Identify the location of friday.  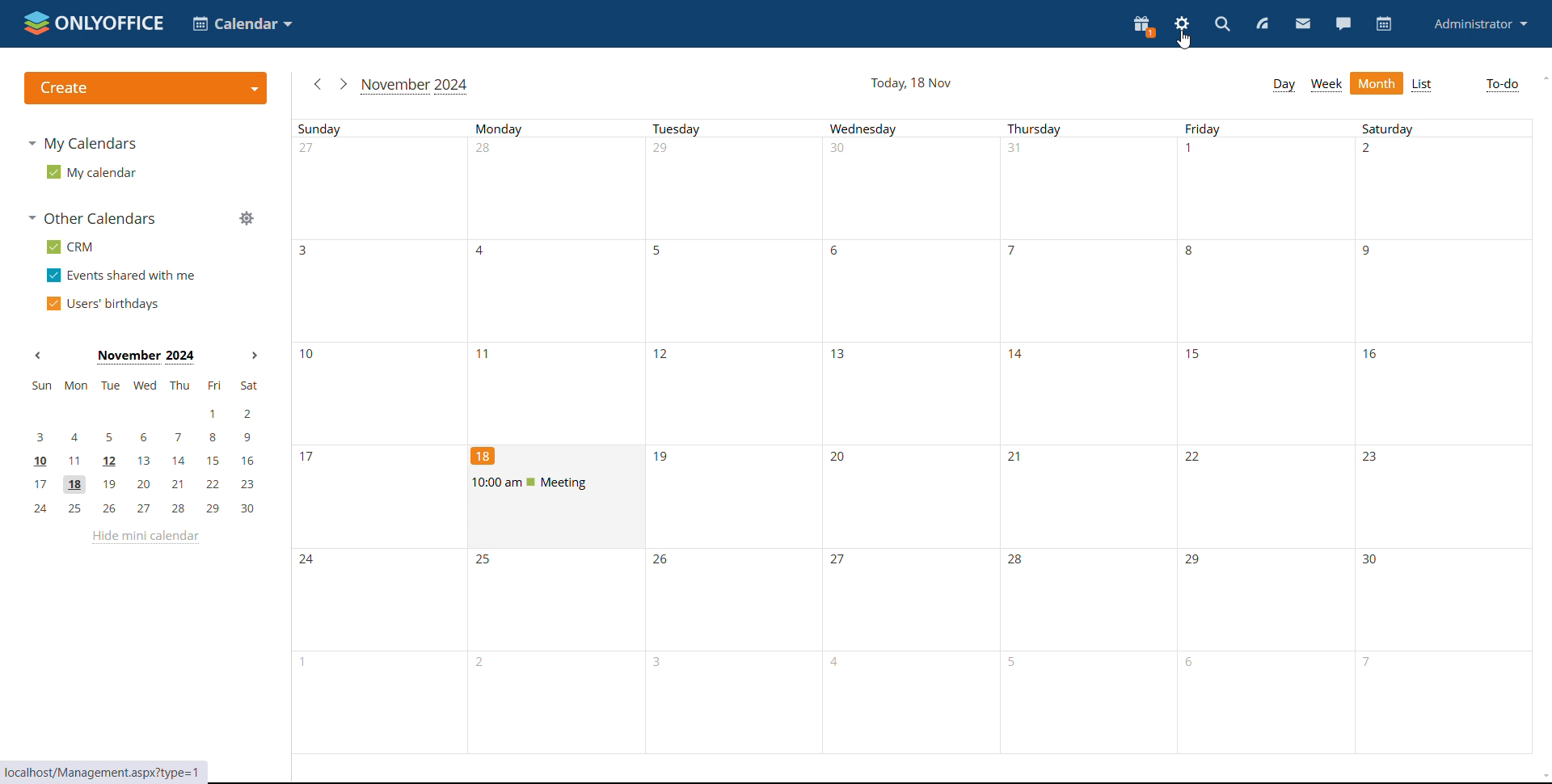
(1268, 436).